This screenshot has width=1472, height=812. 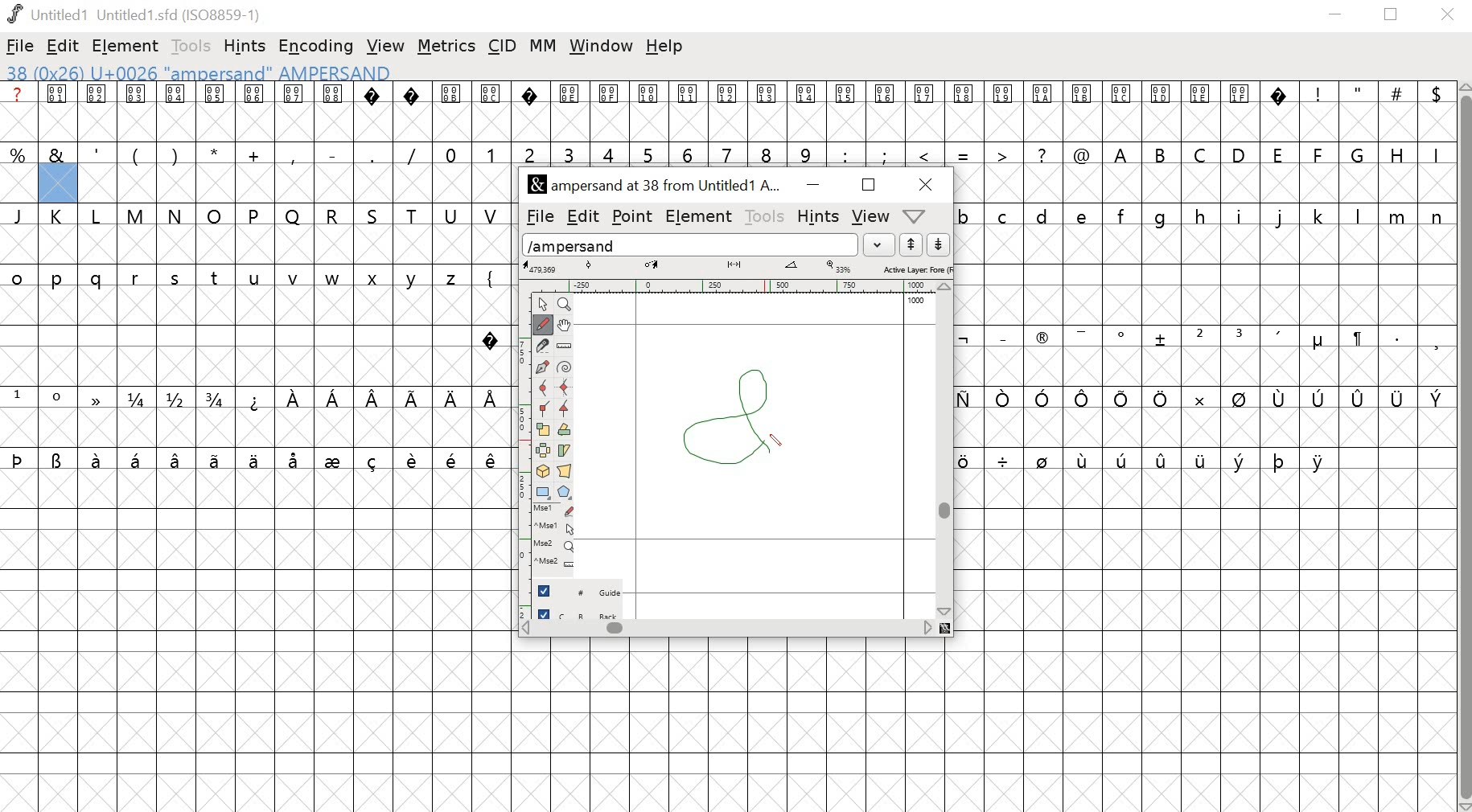 What do you see at coordinates (886, 110) in the screenshot?
I see `0016` at bounding box center [886, 110].